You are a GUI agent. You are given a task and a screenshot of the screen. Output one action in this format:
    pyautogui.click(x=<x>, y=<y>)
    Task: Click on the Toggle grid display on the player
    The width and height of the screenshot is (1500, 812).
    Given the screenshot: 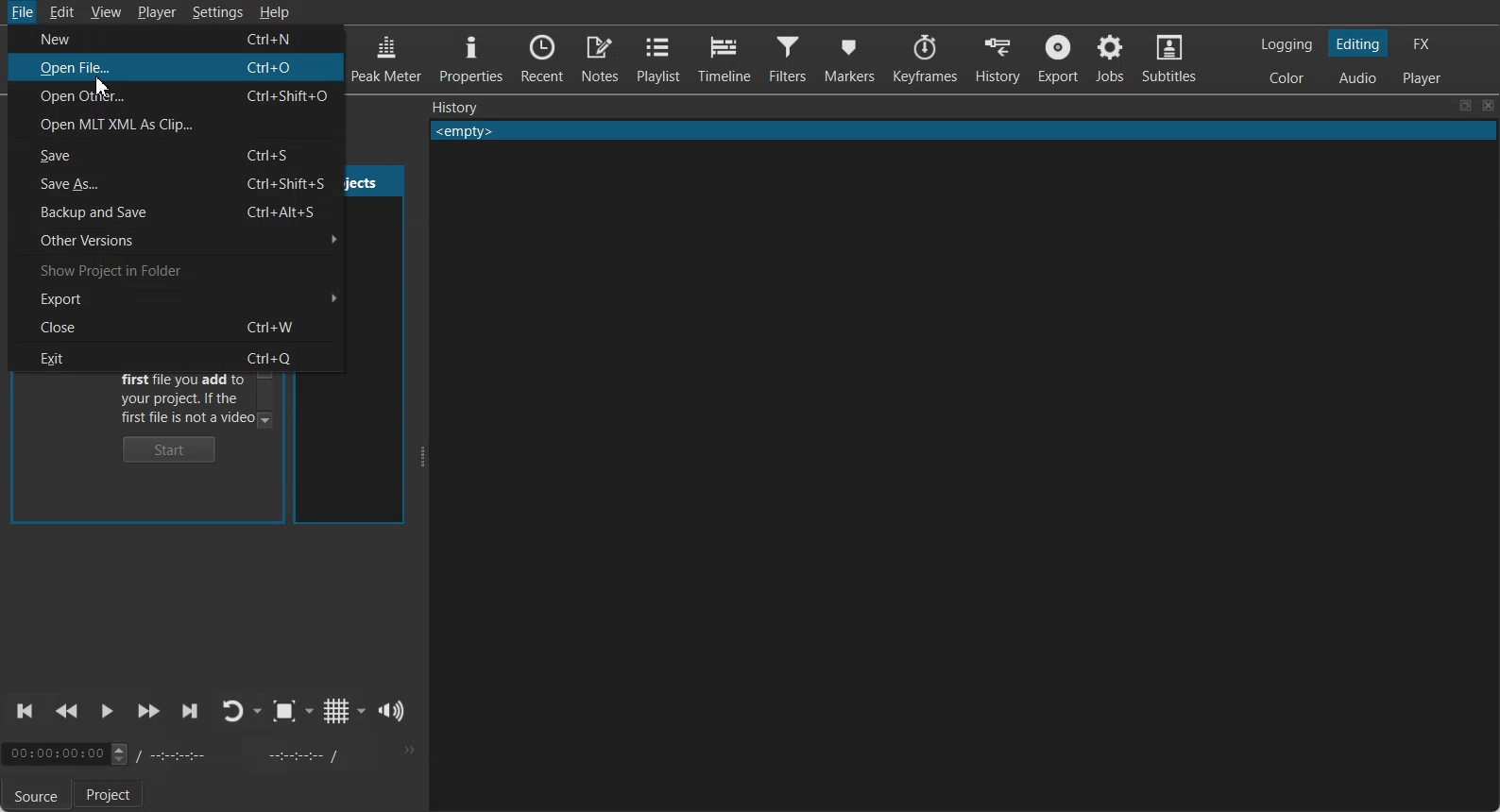 What is the action you would take?
    pyautogui.click(x=335, y=711)
    